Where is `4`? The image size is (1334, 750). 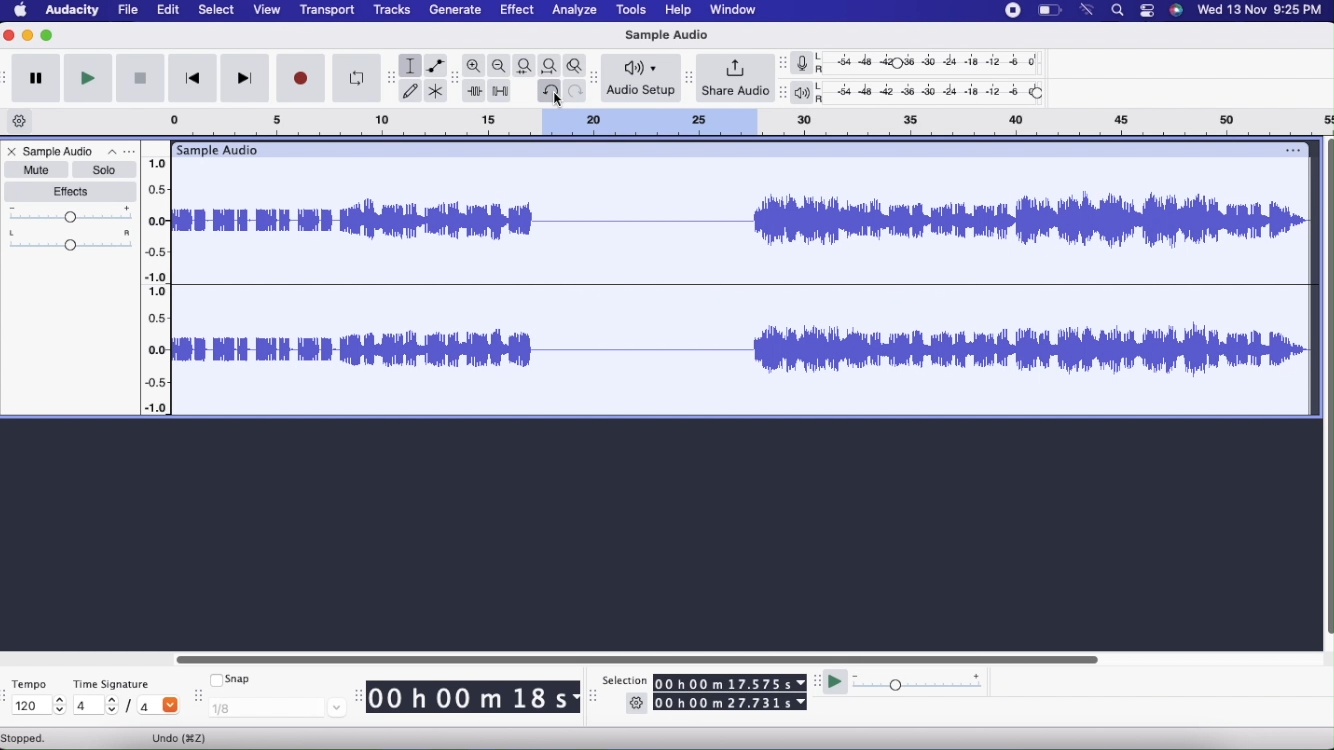 4 is located at coordinates (94, 707).